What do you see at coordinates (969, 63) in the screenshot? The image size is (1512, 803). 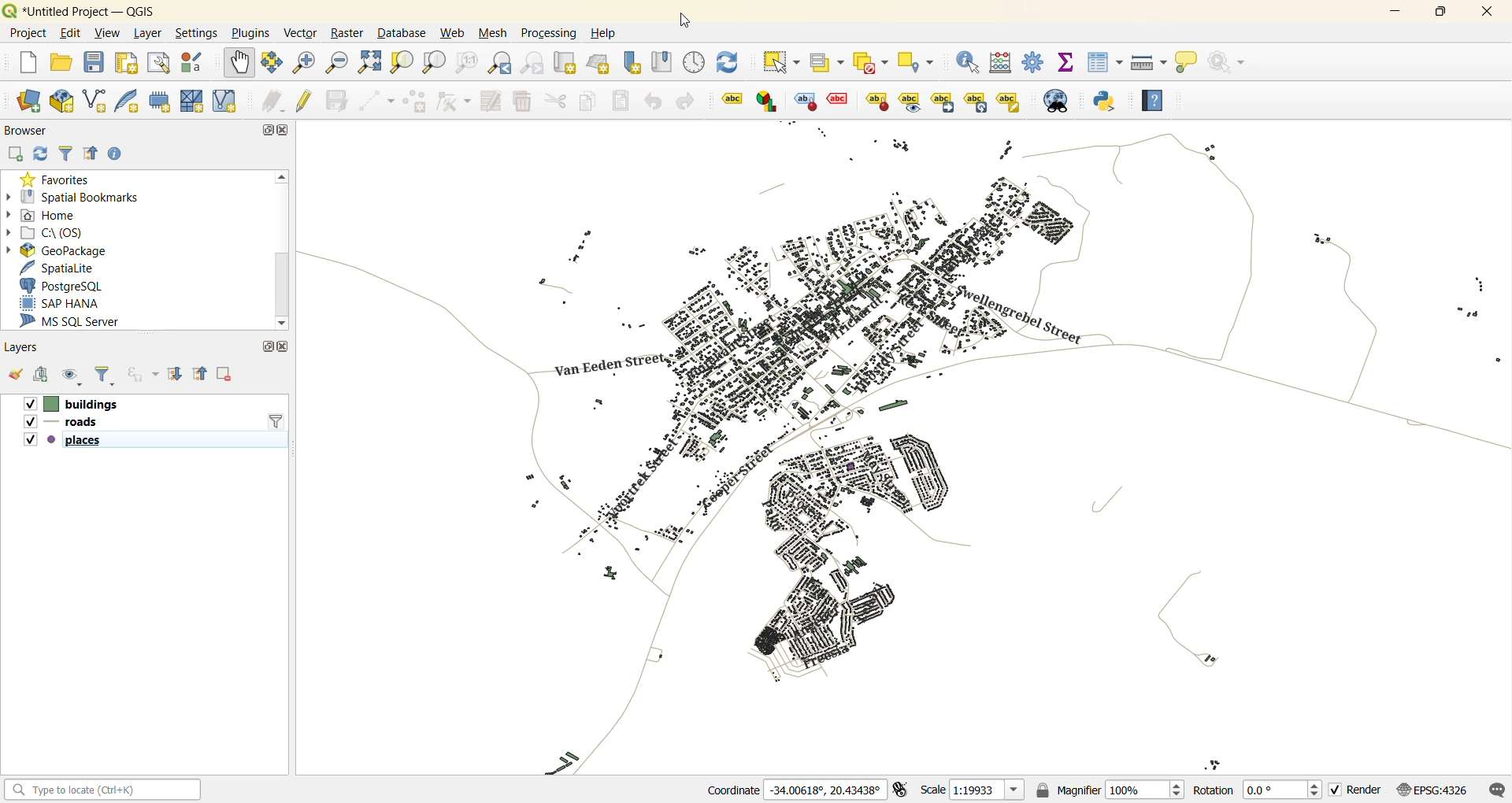 I see `identify features` at bounding box center [969, 63].